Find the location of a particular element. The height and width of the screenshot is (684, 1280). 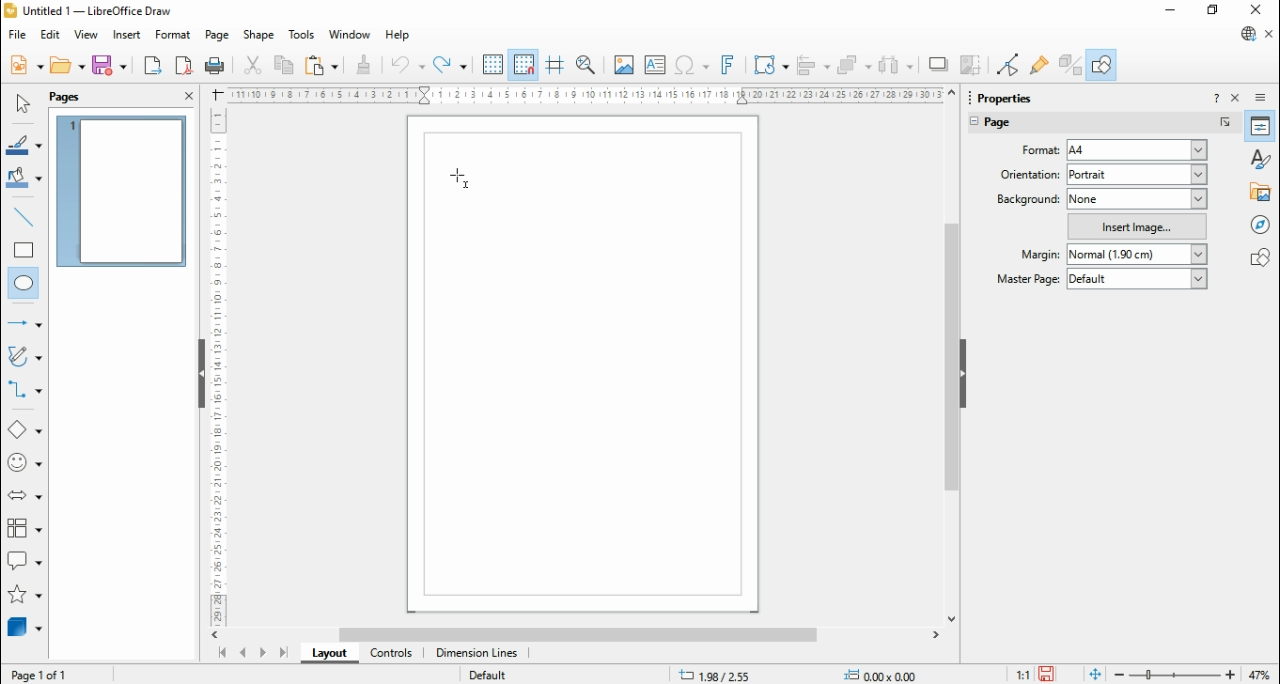

shape is located at coordinates (258, 35).